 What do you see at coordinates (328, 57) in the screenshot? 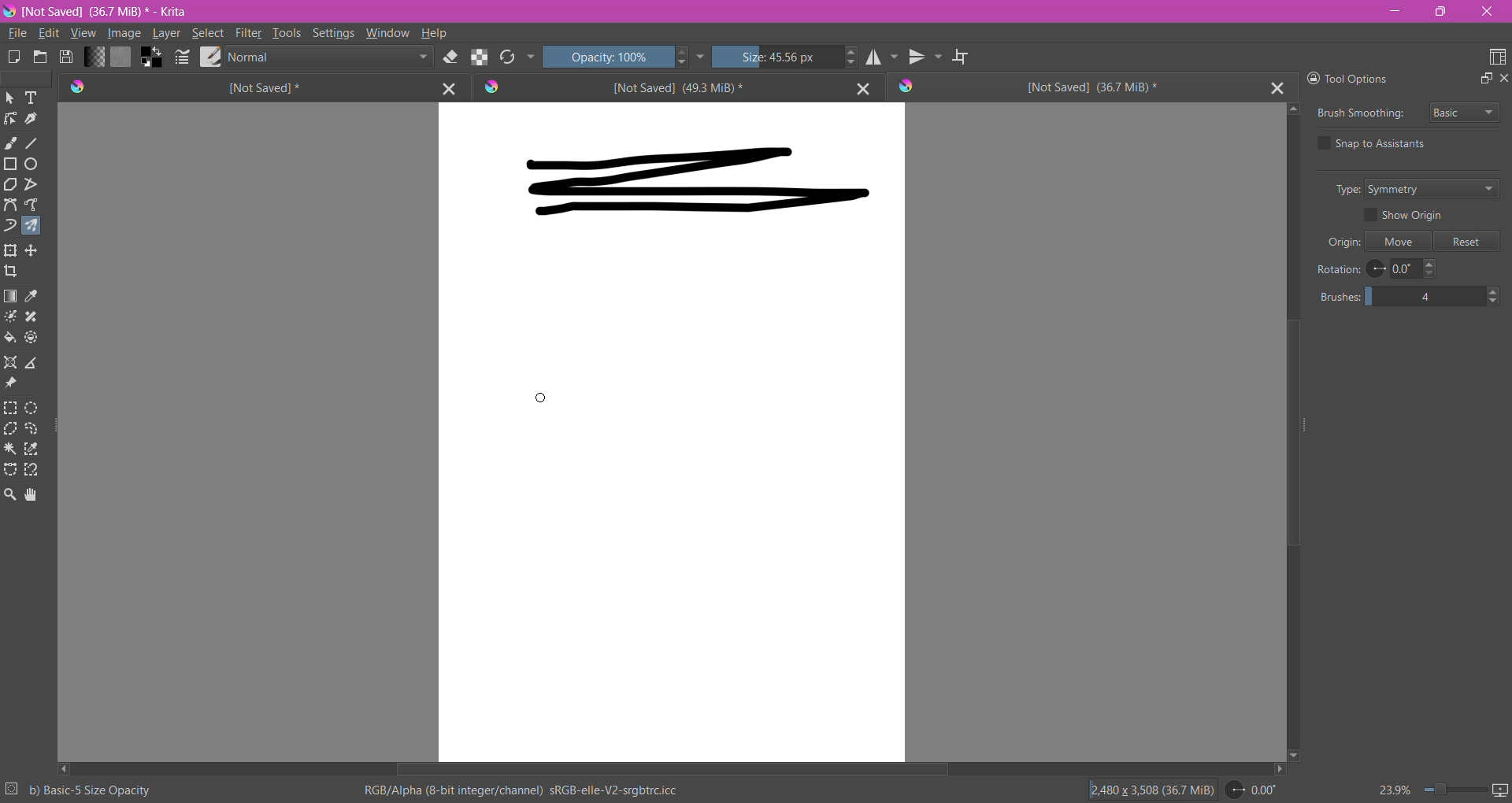
I see `Blending Mode` at bounding box center [328, 57].